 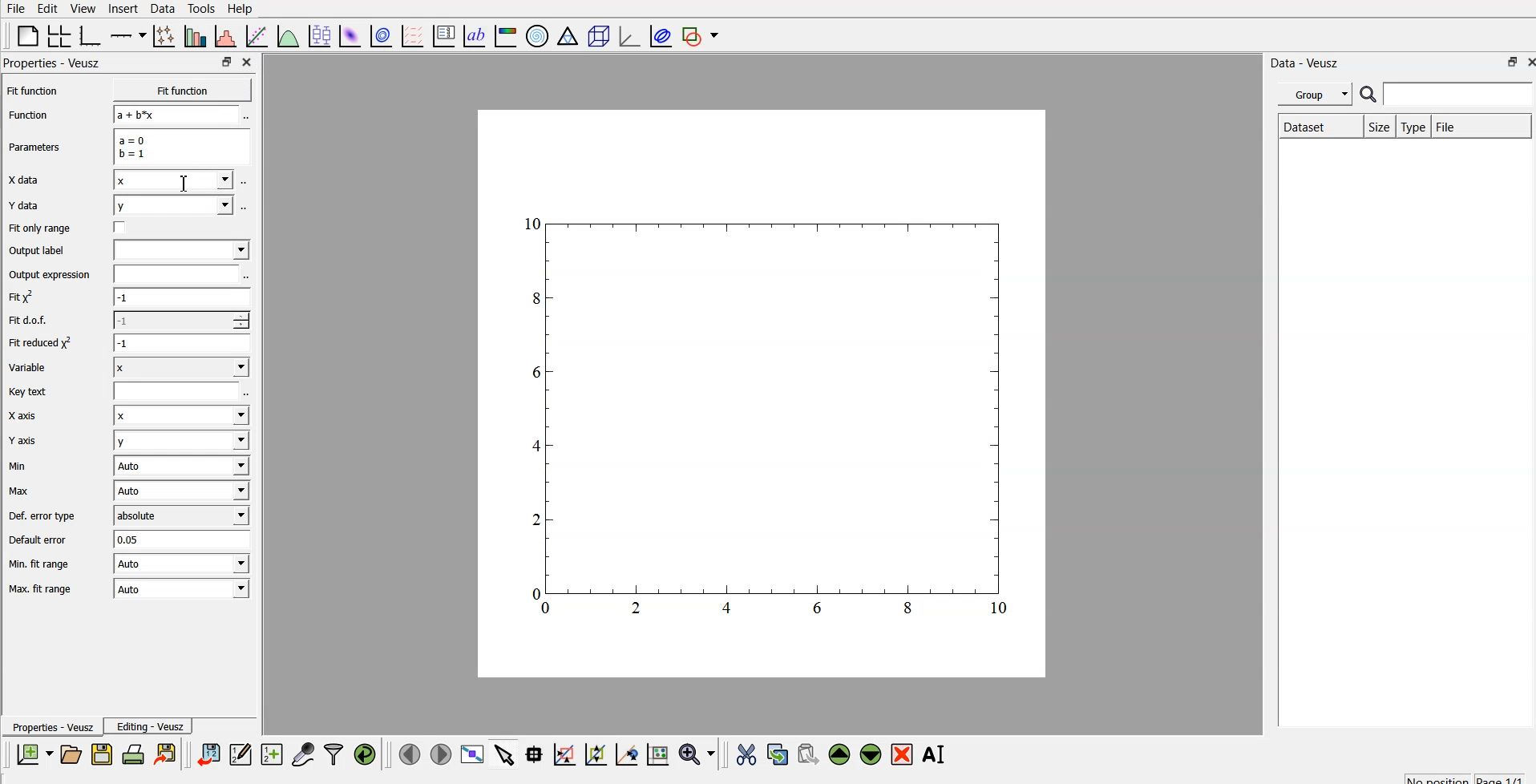 I want to click on histogram of a dataset, so click(x=224, y=36).